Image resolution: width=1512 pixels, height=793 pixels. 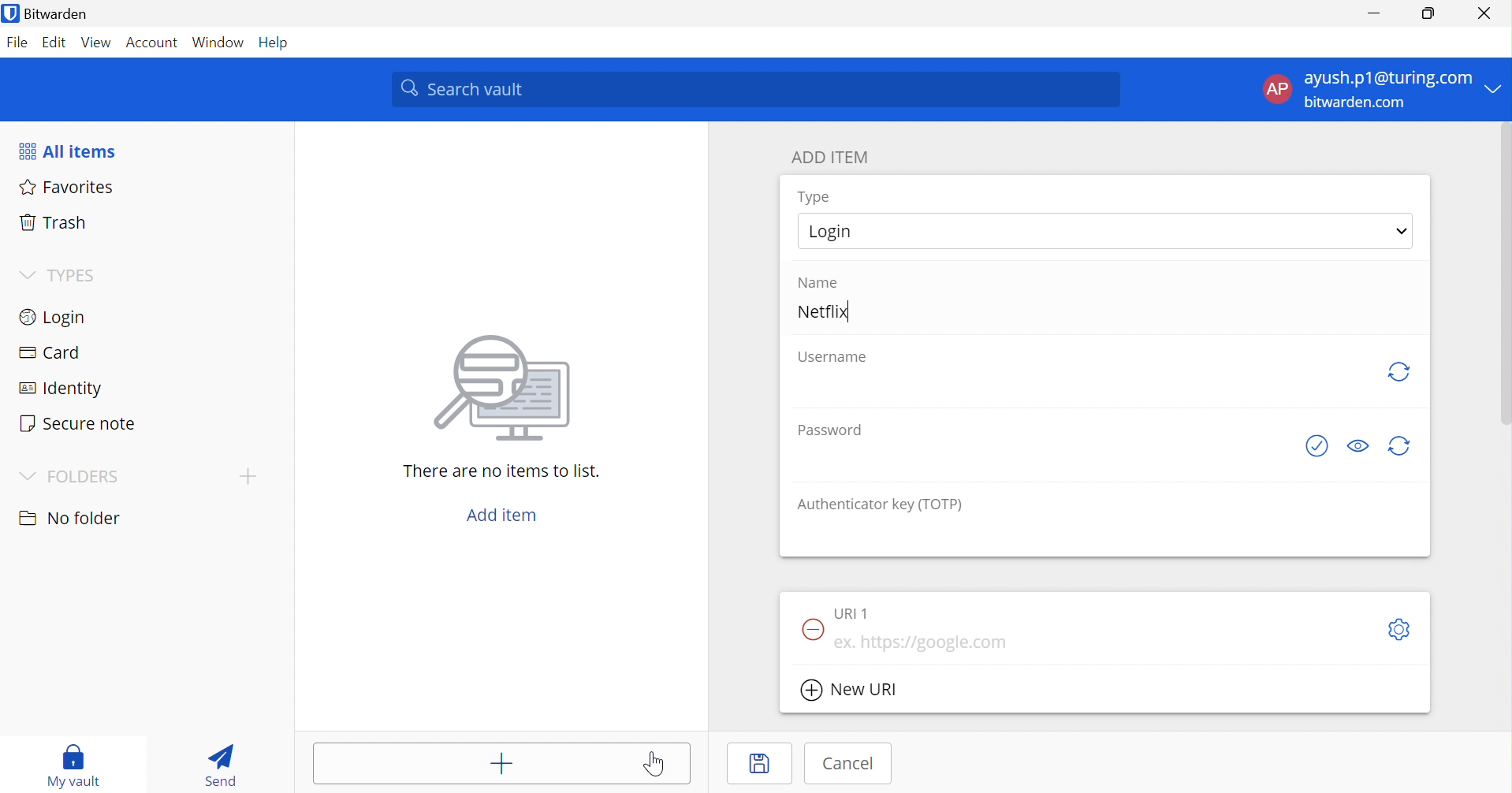 I want to click on Generate password, so click(x=1398, y=446).